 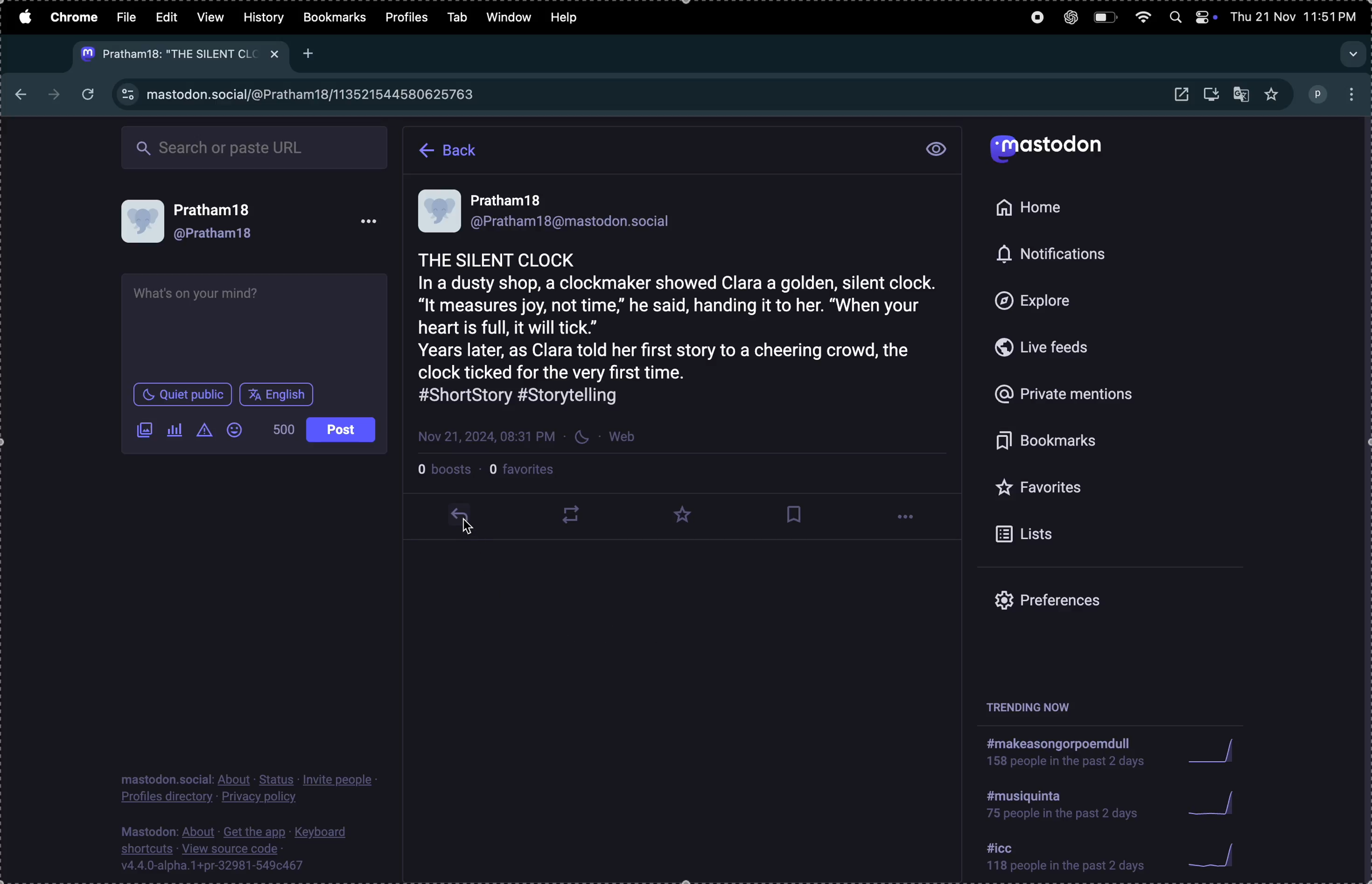 What do you see at coordinates (463, 17) in the screenshot?
I see `tab` at bounding box center [463, 17].